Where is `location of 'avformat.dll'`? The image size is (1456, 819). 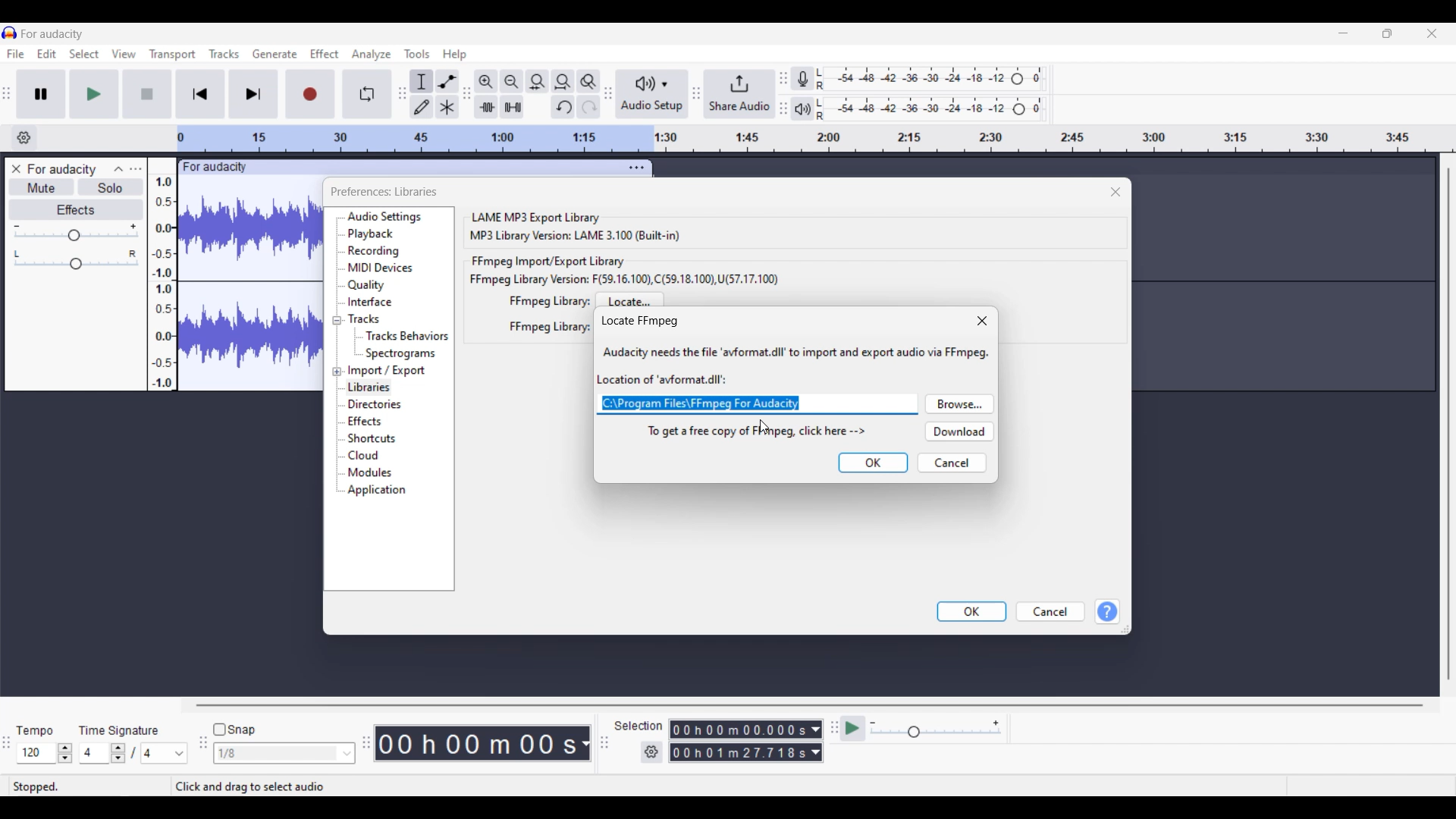 location of 'avformat.dll' is located at coordinates (664, 380).